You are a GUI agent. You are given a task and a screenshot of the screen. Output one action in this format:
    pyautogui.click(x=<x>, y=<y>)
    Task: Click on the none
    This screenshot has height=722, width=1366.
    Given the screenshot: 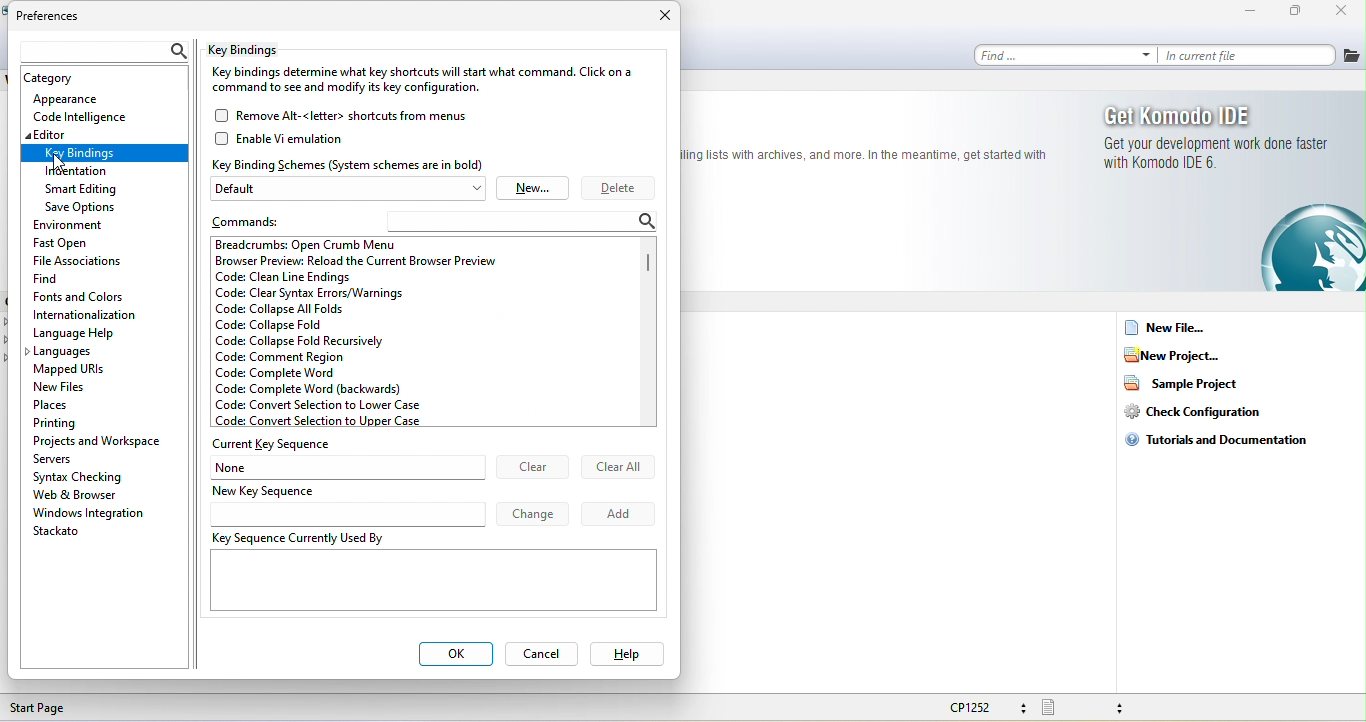 What is the action you would take?
    pyautogui.click(x=349, y=467)
    